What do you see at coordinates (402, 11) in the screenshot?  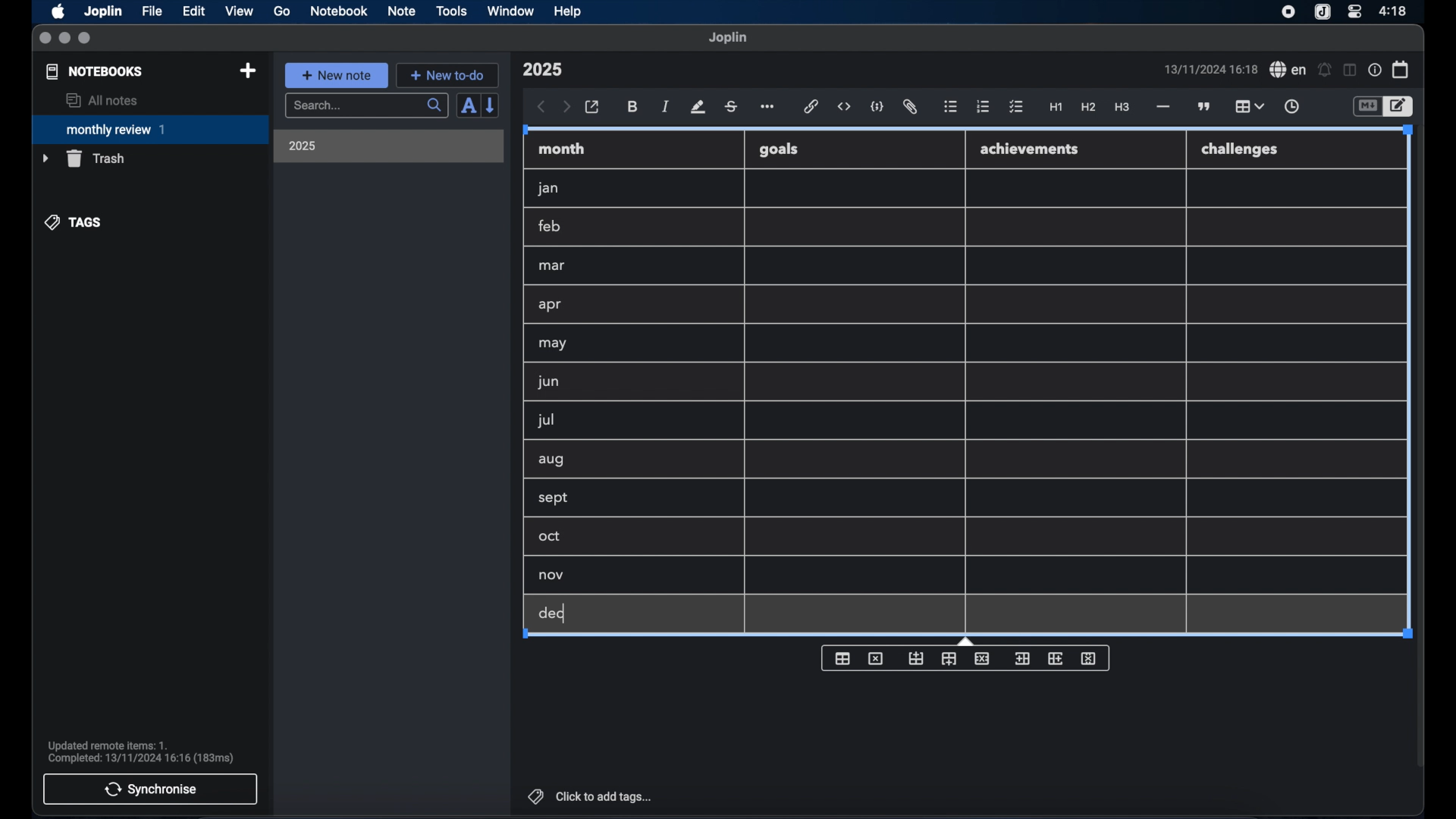 I see `note` at bounding box center [402, 11].